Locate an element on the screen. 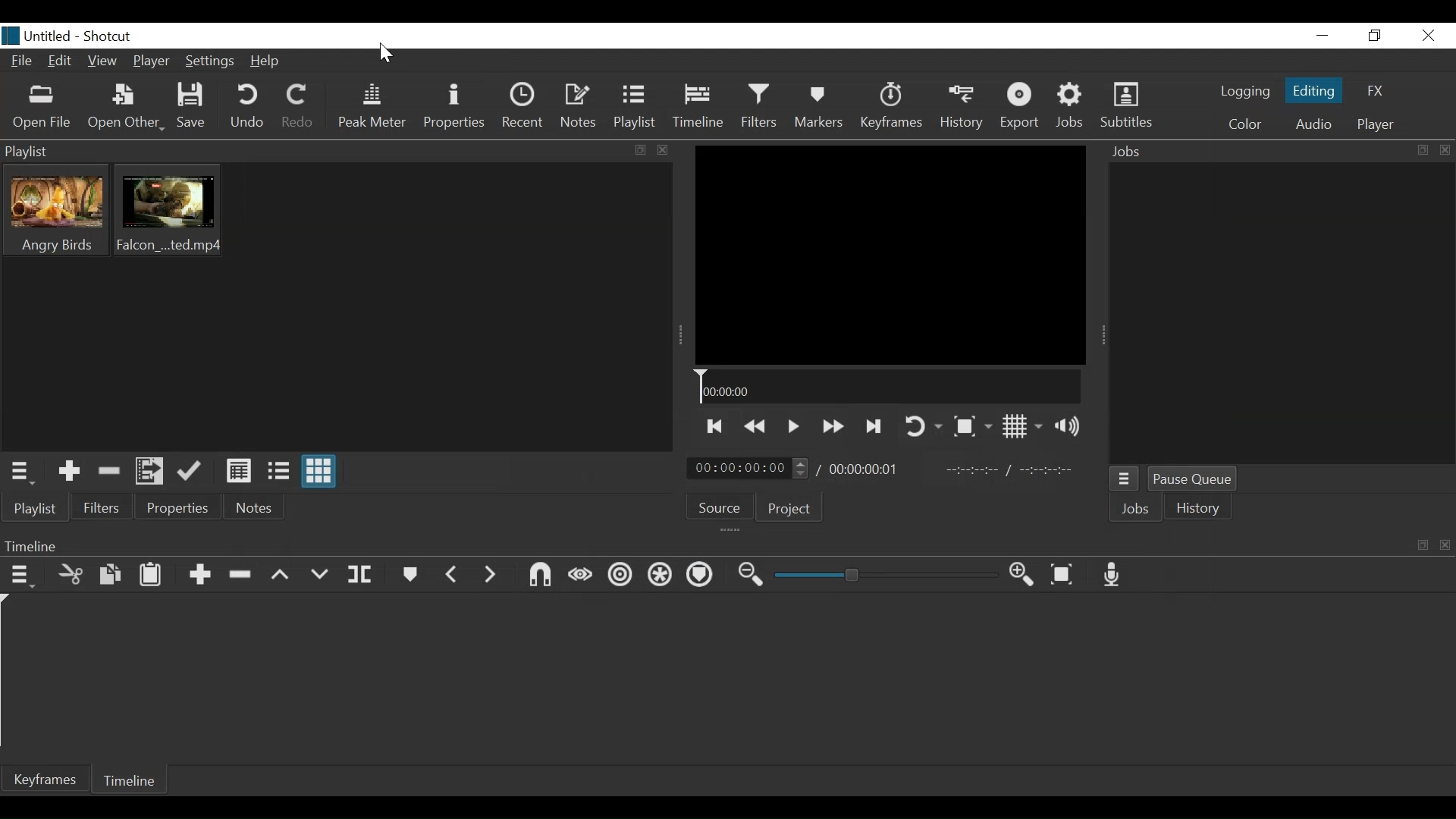 Image resolution: width=1456 pixels, height=819 pixels. Overwrite is located at coordinates (319, 575).